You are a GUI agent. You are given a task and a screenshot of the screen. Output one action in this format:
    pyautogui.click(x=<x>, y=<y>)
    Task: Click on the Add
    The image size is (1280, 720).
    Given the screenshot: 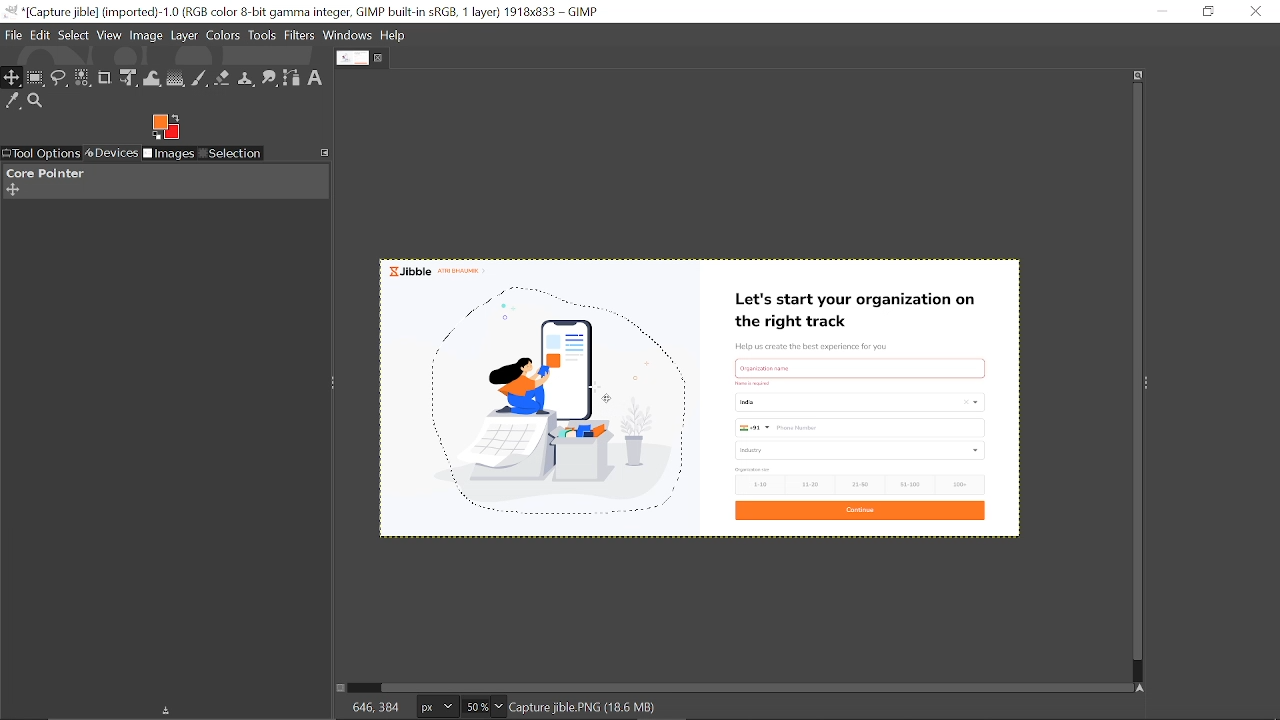 What is the action you would take?
    pyautogui.click(x=12, y=190)
    